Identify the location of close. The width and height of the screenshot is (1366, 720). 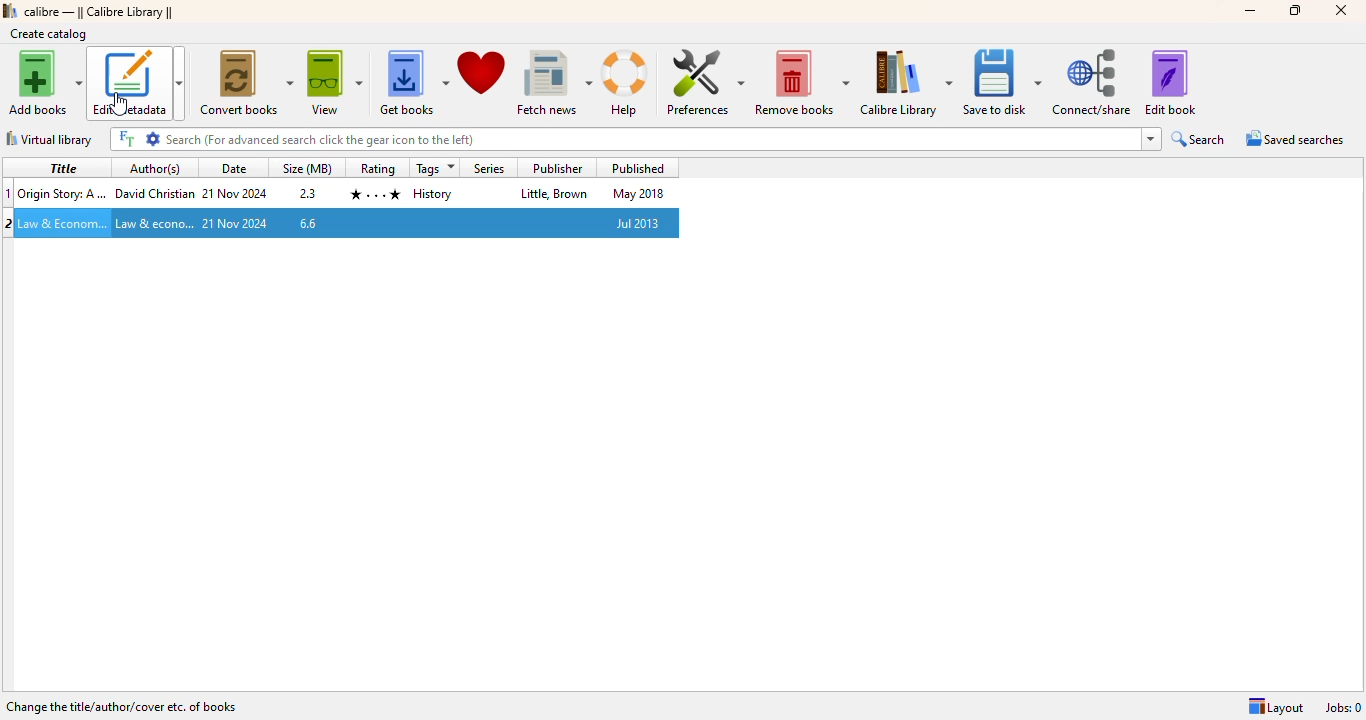
(1342, 11).